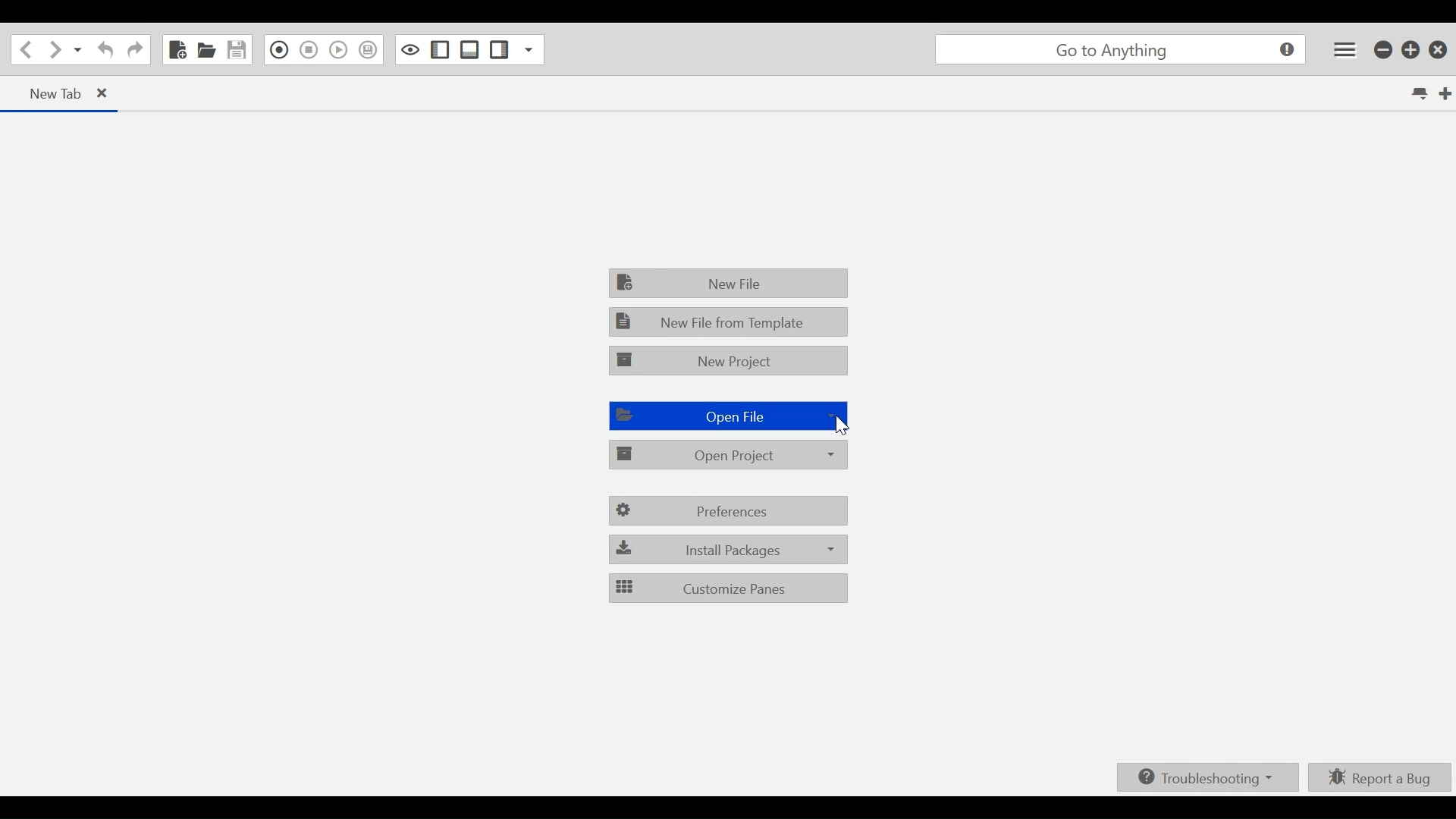  Describe the element at coordinates (175, 49) in the screenshot. I see `New File` at that location.